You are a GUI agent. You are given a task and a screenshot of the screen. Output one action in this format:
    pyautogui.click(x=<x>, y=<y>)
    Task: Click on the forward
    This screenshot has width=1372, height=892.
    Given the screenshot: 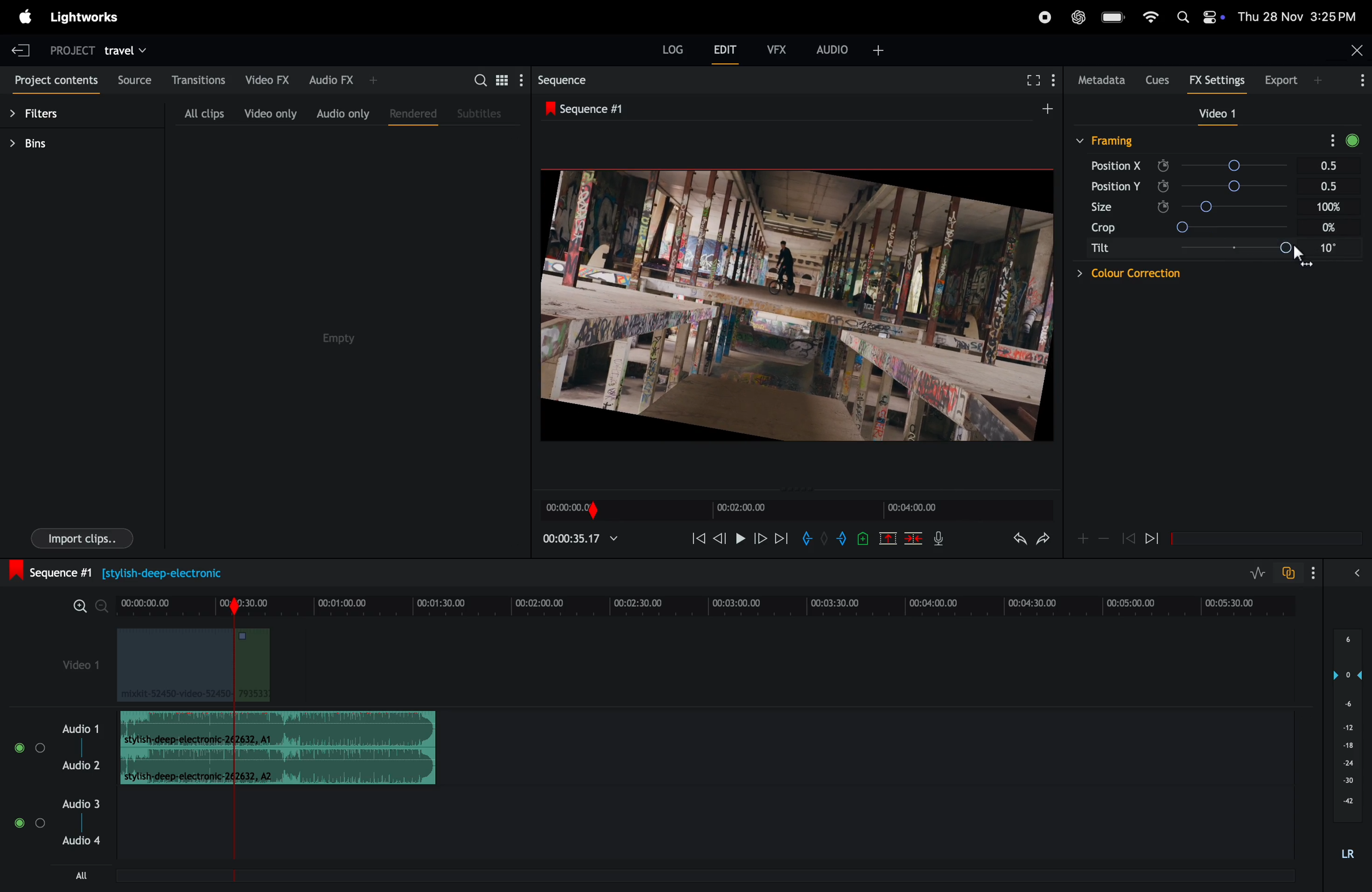 What is the action you would take?
    pyautogui.click(x=782, y=541)
    